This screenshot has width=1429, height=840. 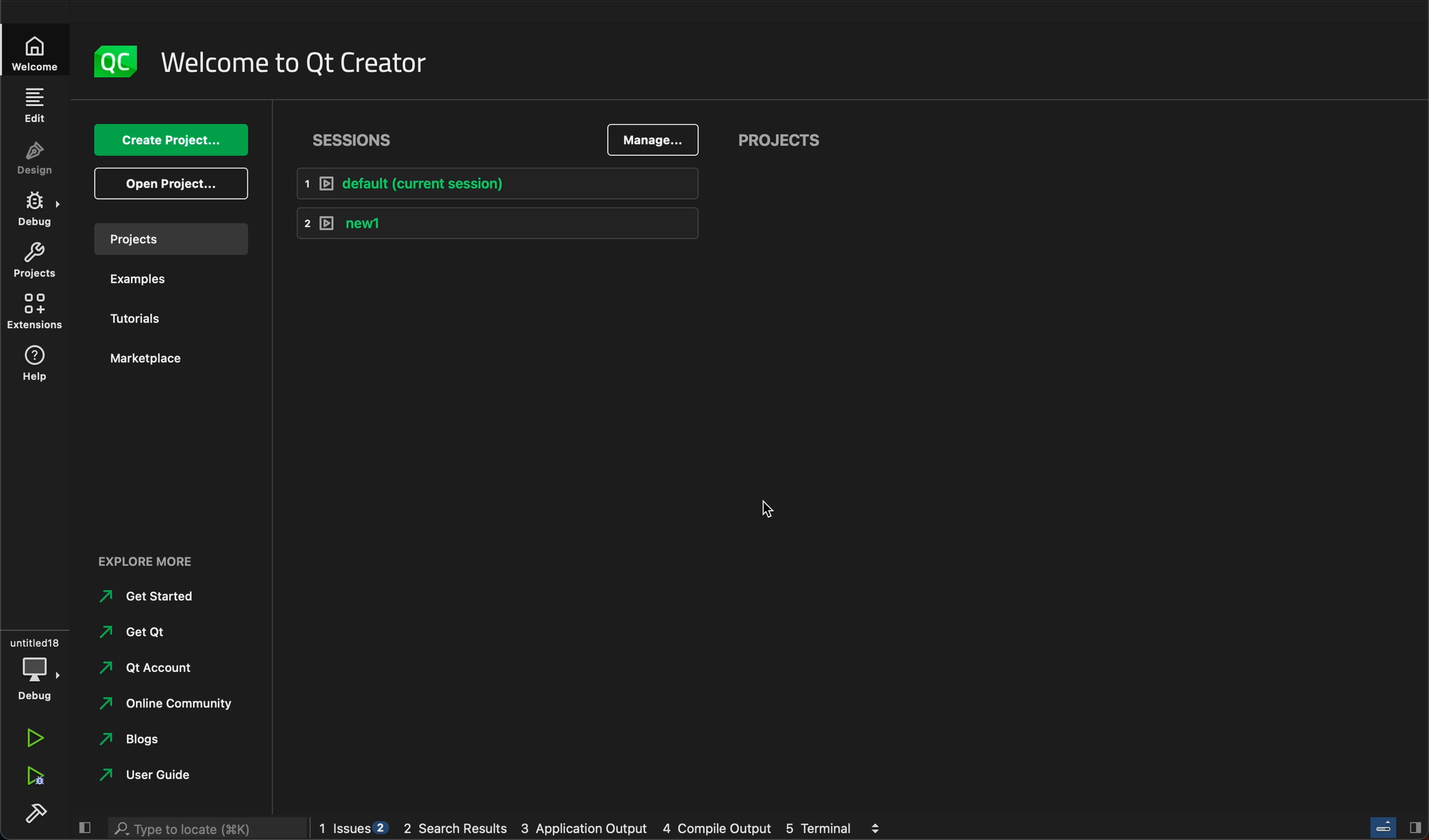 I want to click on get Qt, so click(x=163, y=633).